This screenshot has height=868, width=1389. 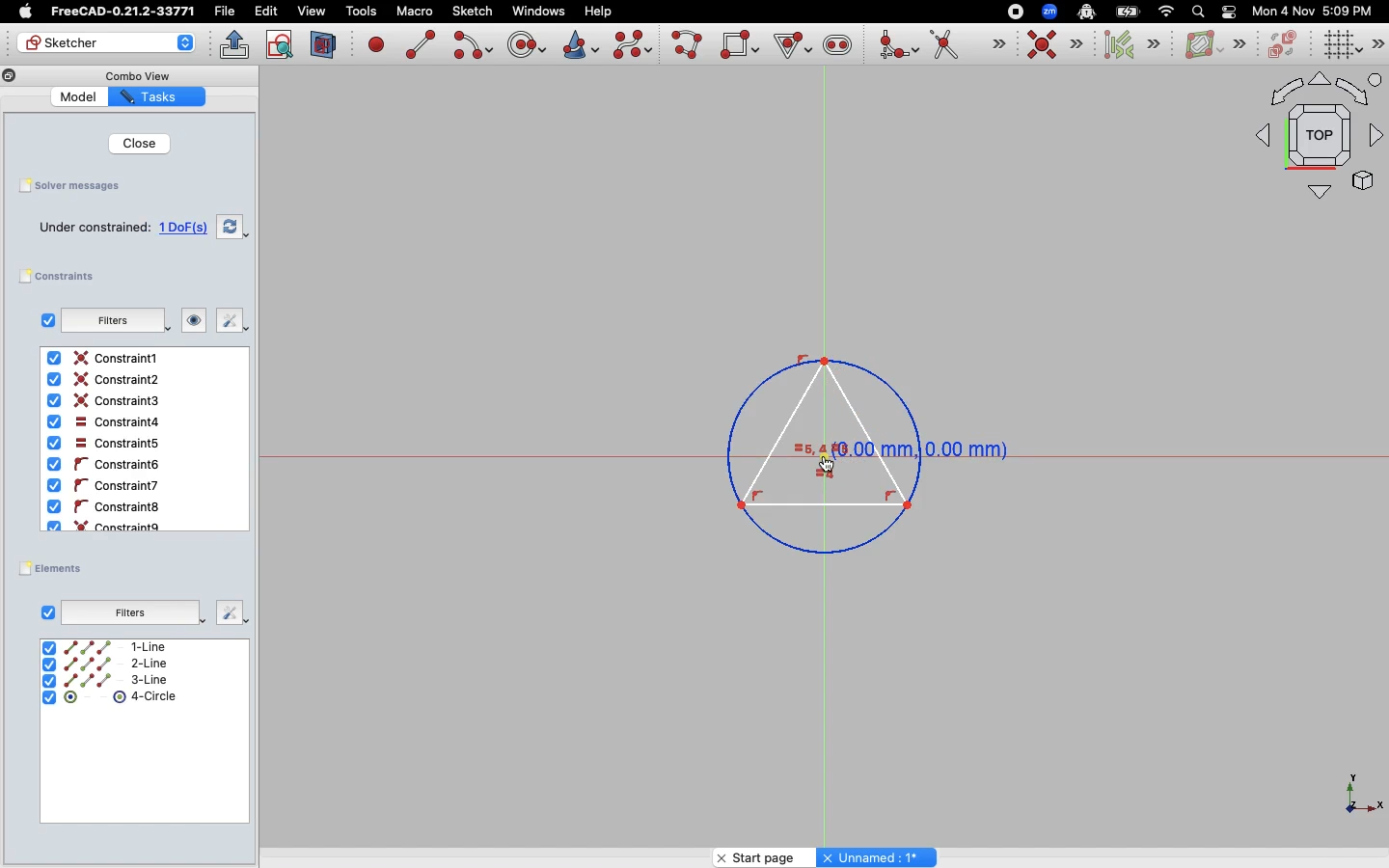 I want to click on Sketcher, so click(x=110, y=42).